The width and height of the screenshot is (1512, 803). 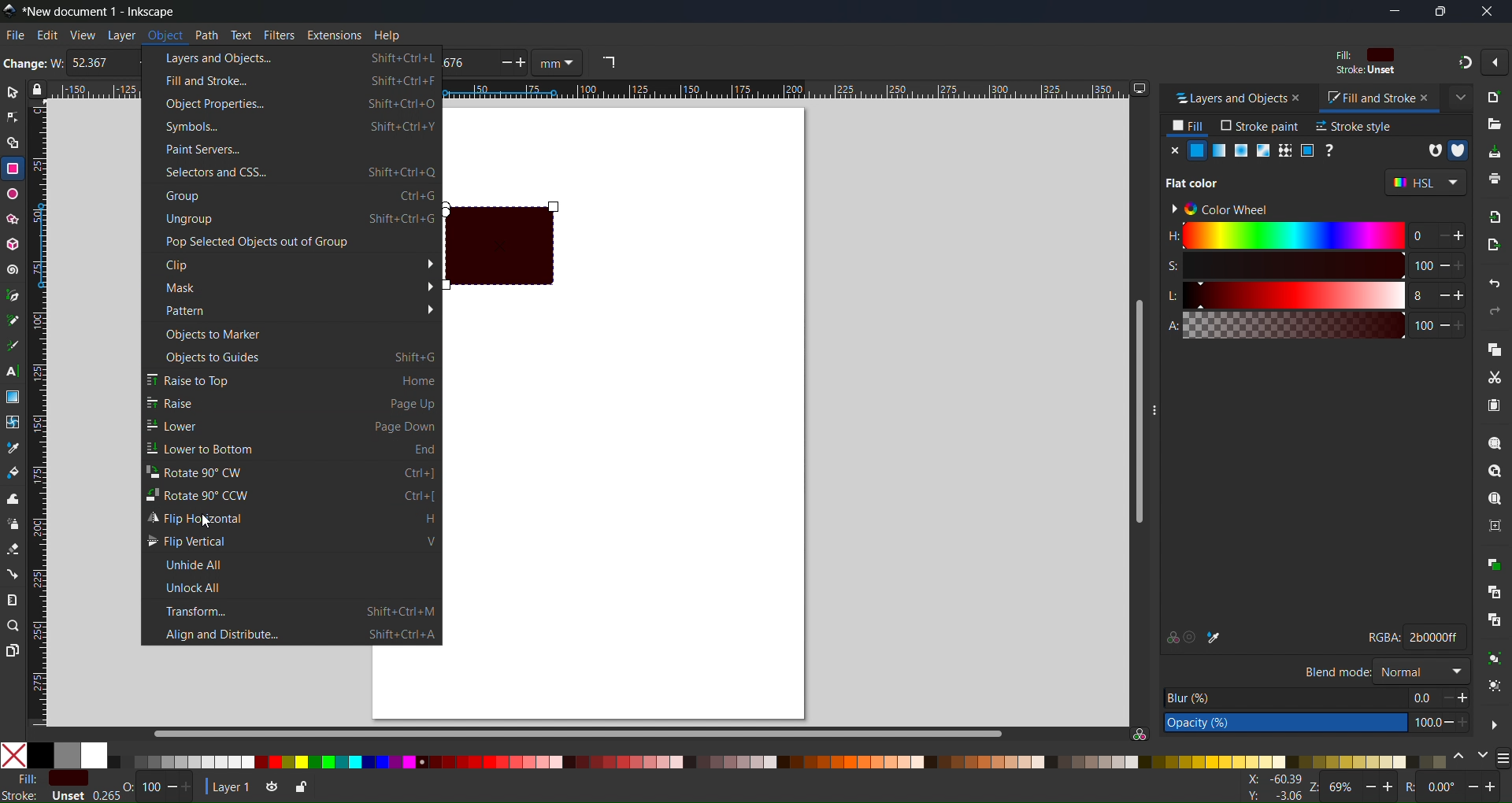 What do you see at coordinates (293, 104) in the screenshot?
I see `Object Properties` at bounding box center [293, 104].